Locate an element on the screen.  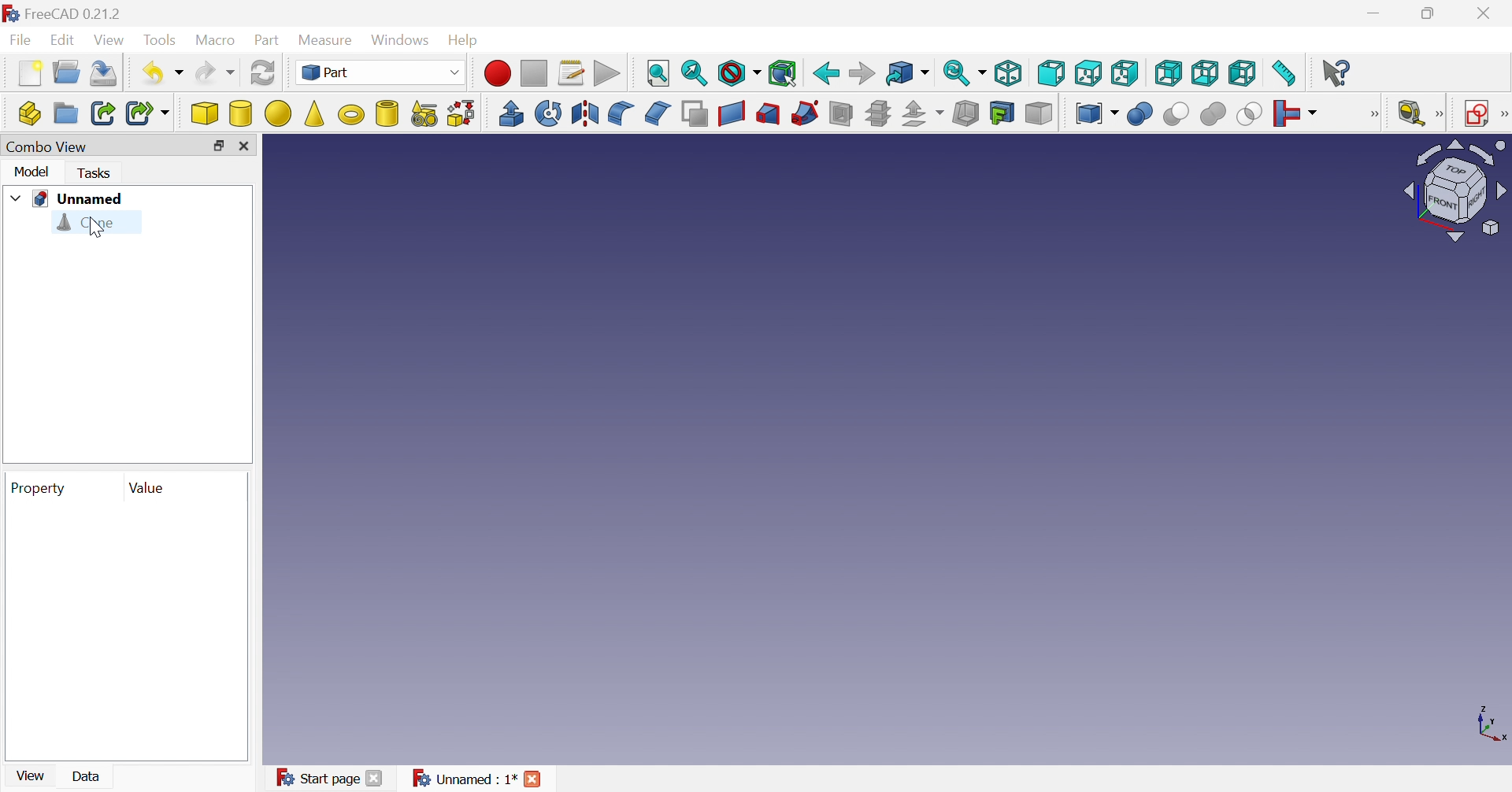
Sweep is located at coordinates (805, 112).